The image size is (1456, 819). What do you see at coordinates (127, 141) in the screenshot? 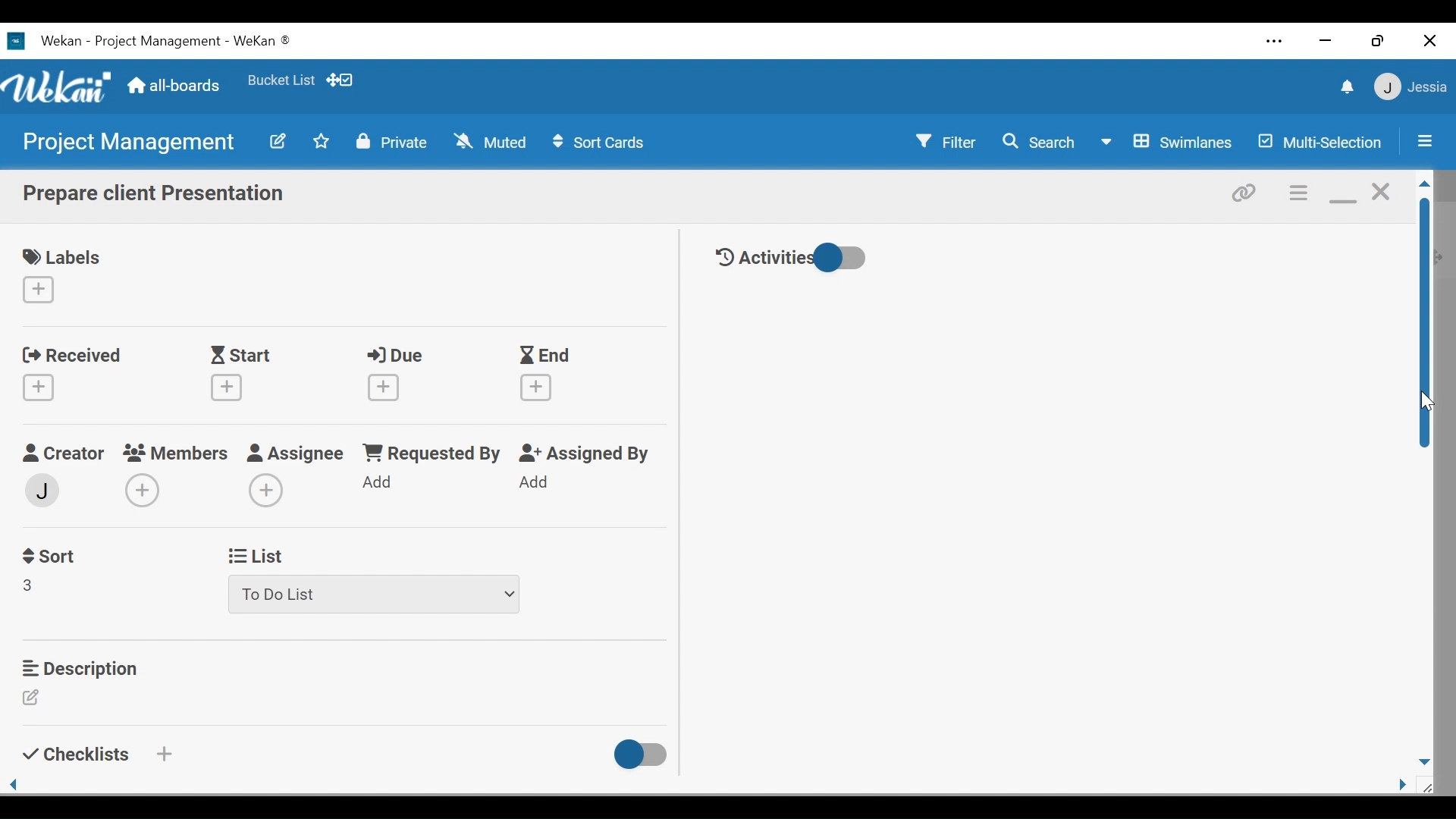
I see `Board name` at bounding box center [127, 141].